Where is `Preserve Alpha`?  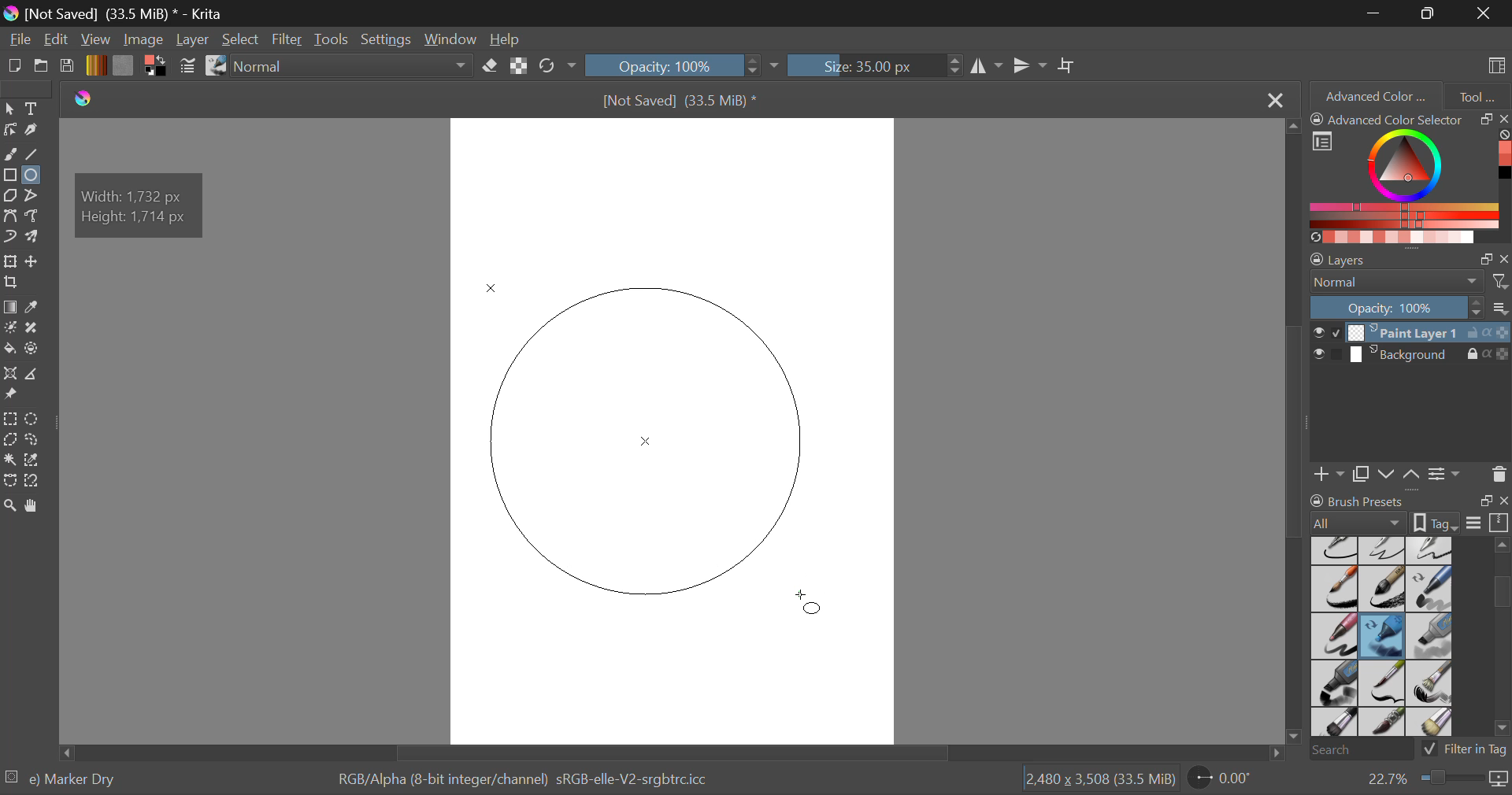 Preserve Alpha is located at coordinates (518, 66).